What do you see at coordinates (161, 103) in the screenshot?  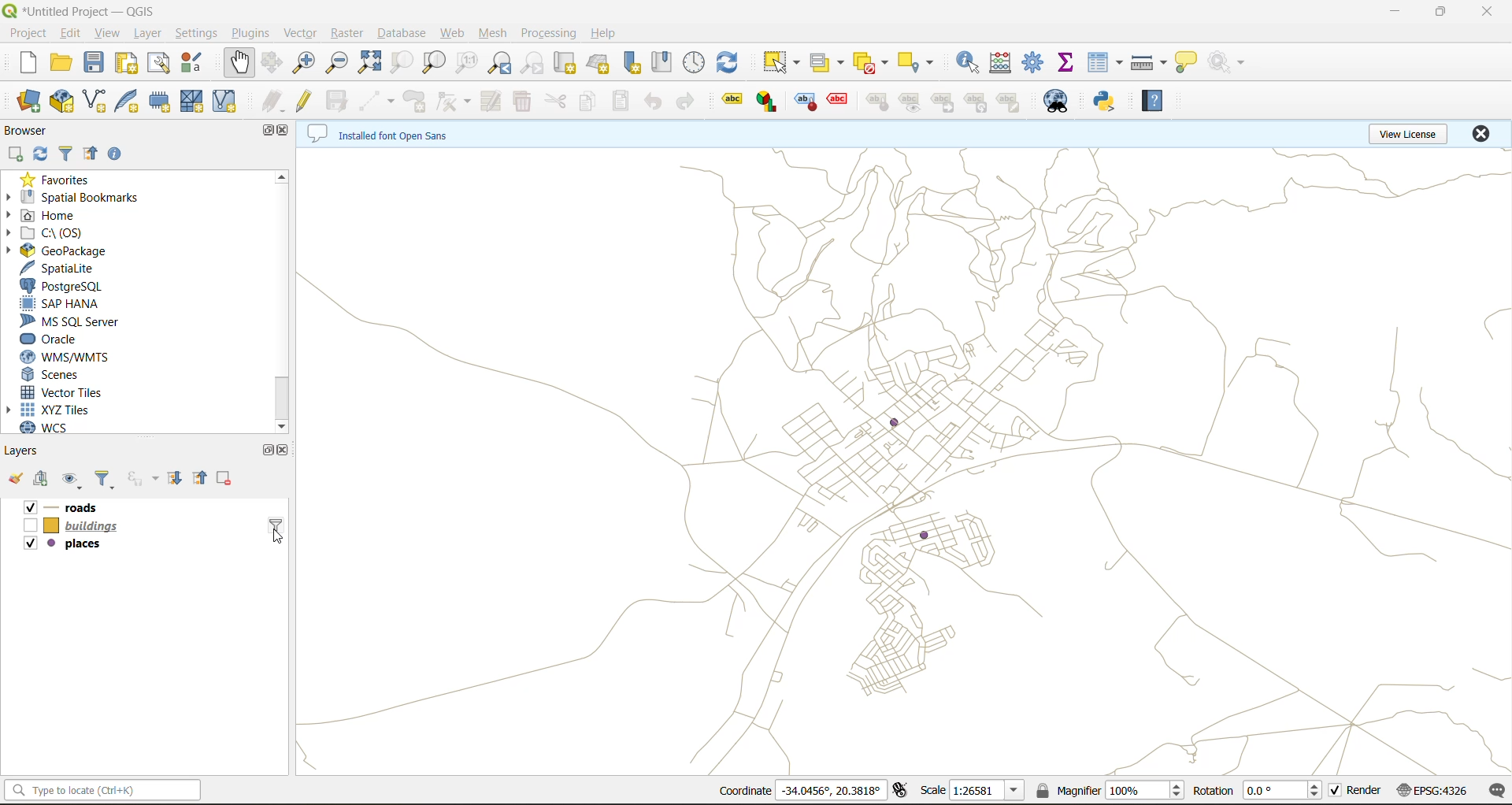 I see `temporary scratch layer` at bounding box center [161, 103].